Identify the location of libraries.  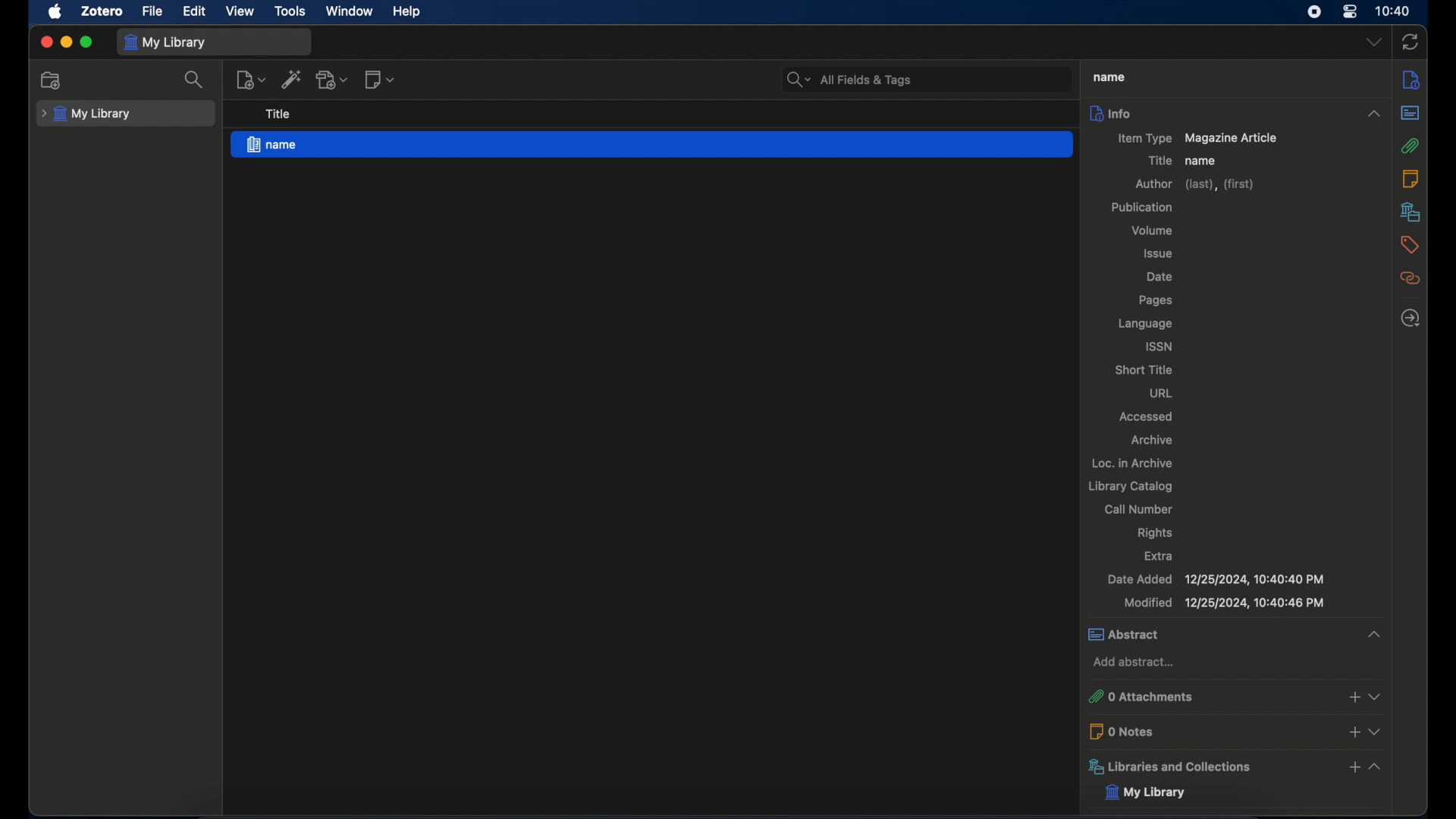
(1235, 767).